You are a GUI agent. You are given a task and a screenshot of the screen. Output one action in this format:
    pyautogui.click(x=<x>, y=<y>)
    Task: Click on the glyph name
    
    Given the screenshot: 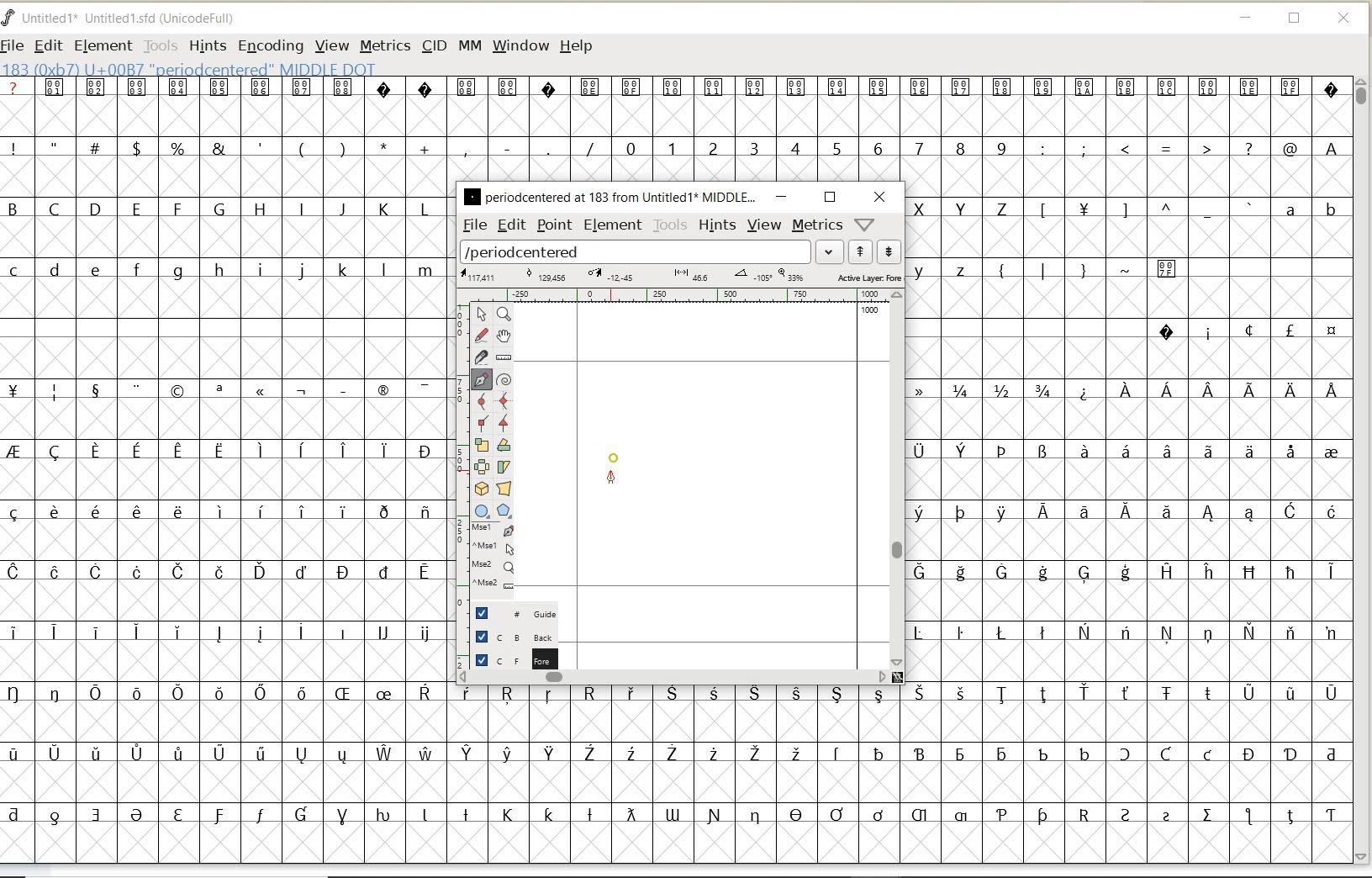 What is the action you would take?
    pyautogui.click(x=609, y=196)
    